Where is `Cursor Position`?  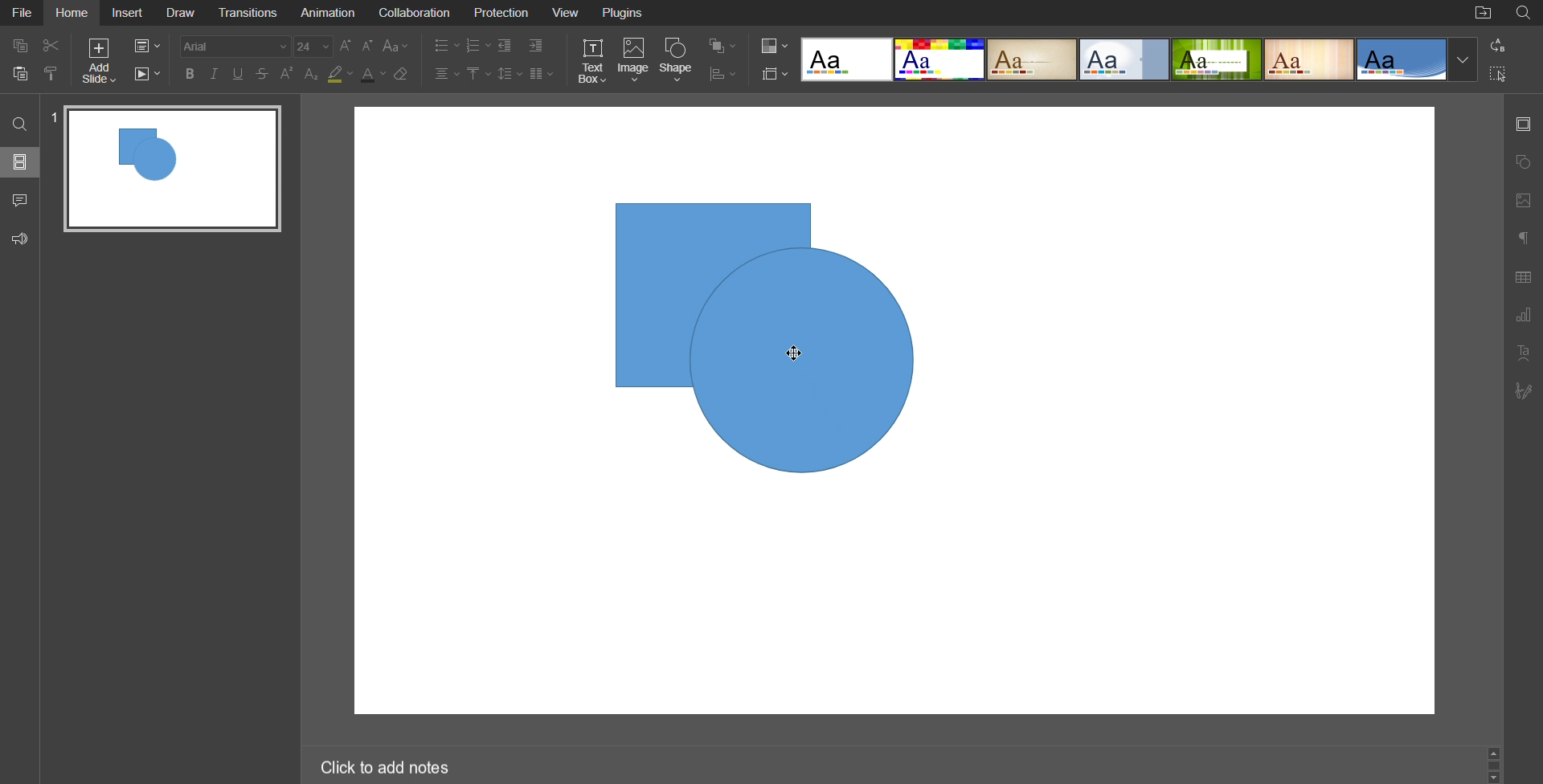
Cursor Position is located at coordinates (795, 353).